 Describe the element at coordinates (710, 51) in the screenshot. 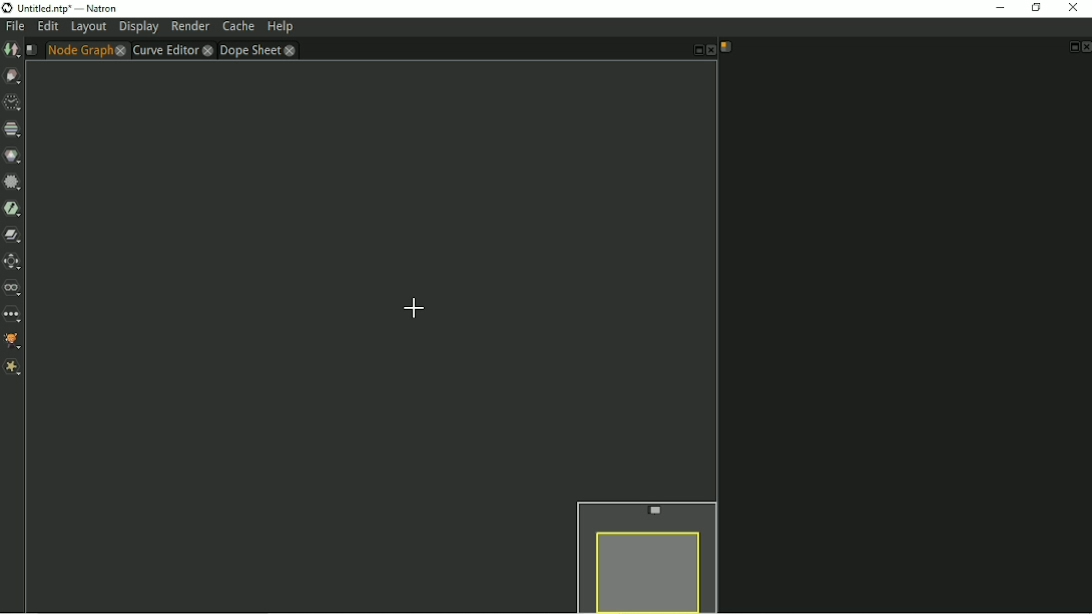

I see `Close` at that location.